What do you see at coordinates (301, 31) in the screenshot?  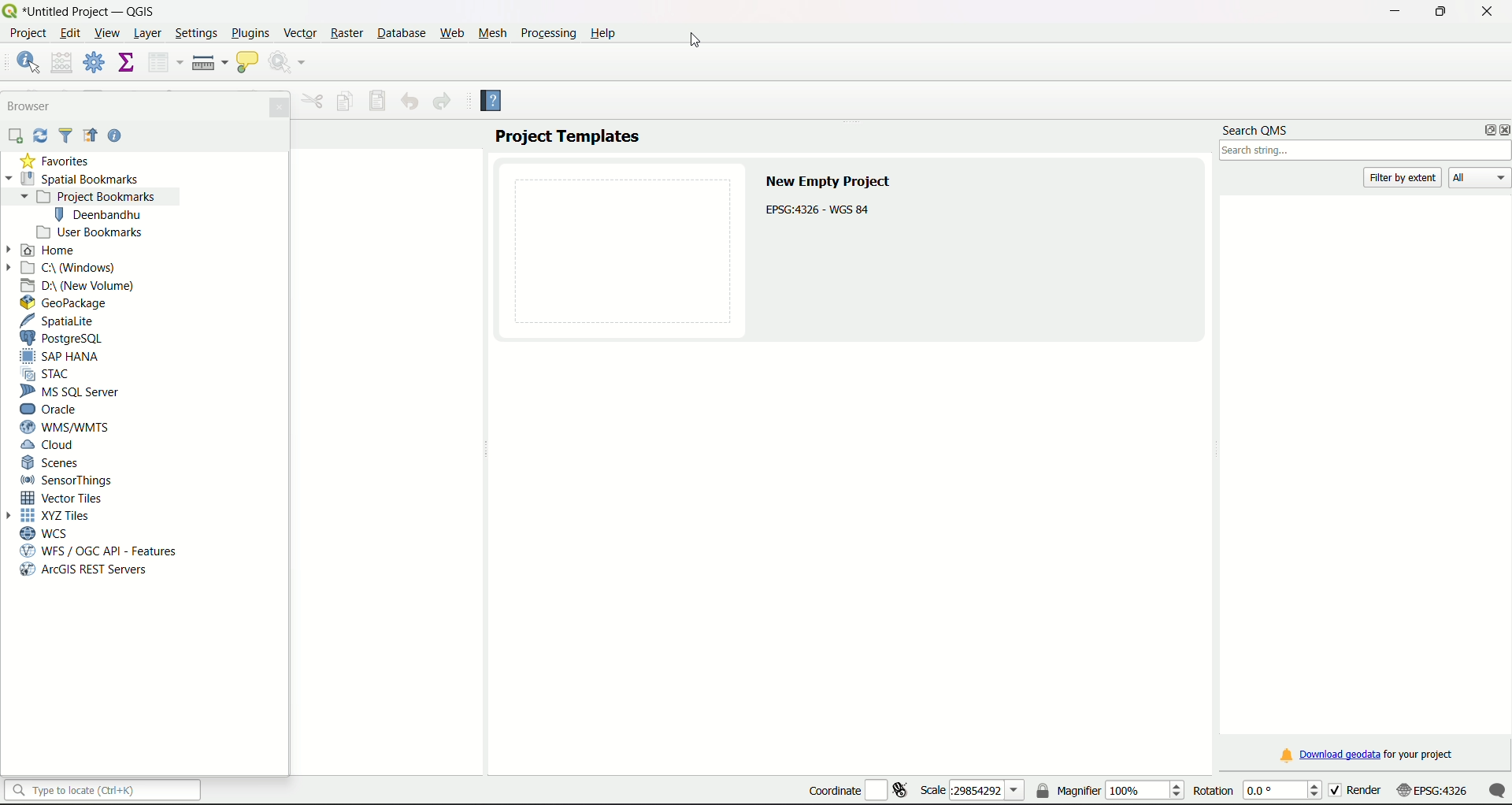 I see `Vector` at bounding box center [301, 31].